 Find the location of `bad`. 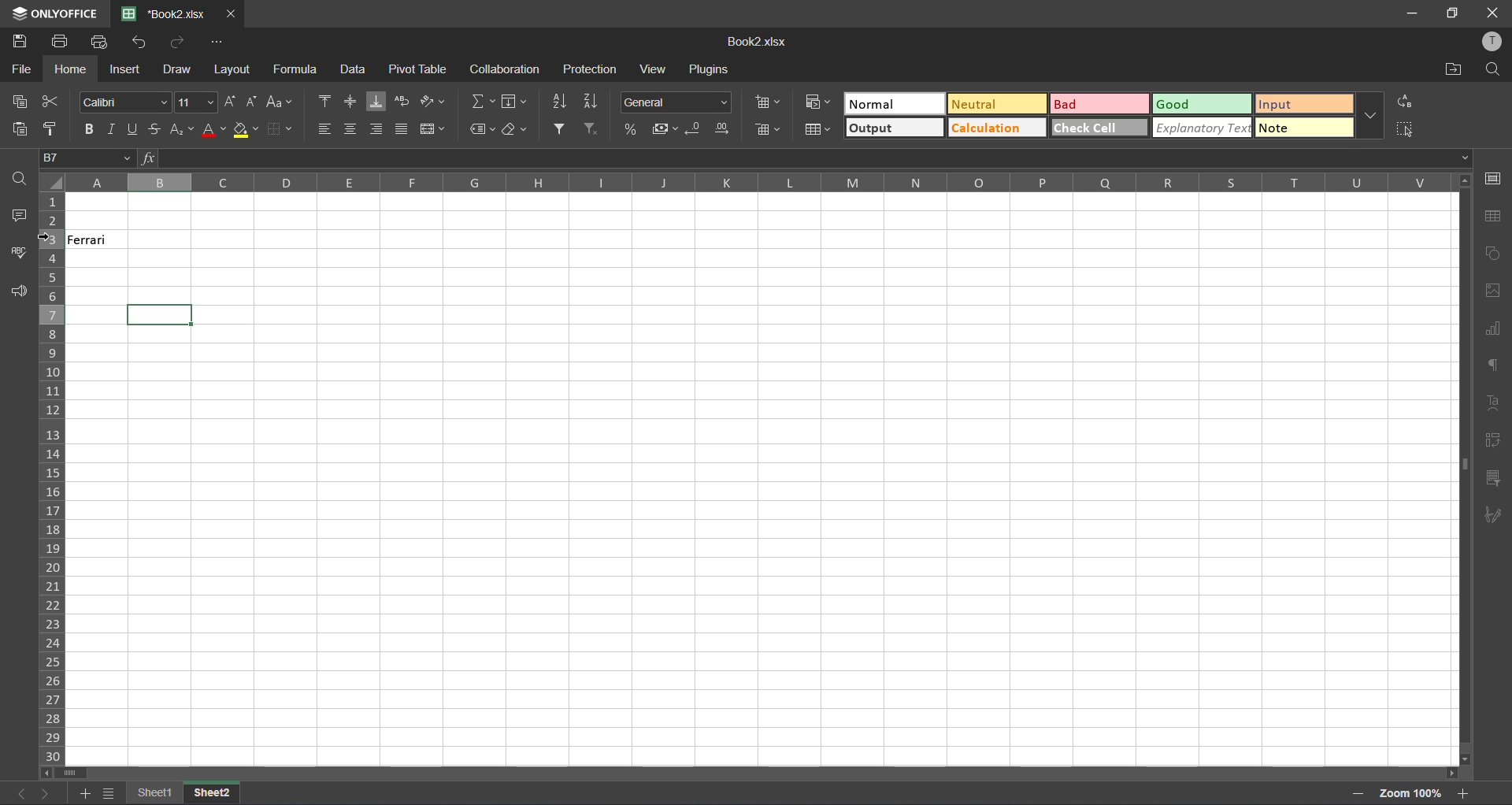

bad is located at coordinates (1080, 103).